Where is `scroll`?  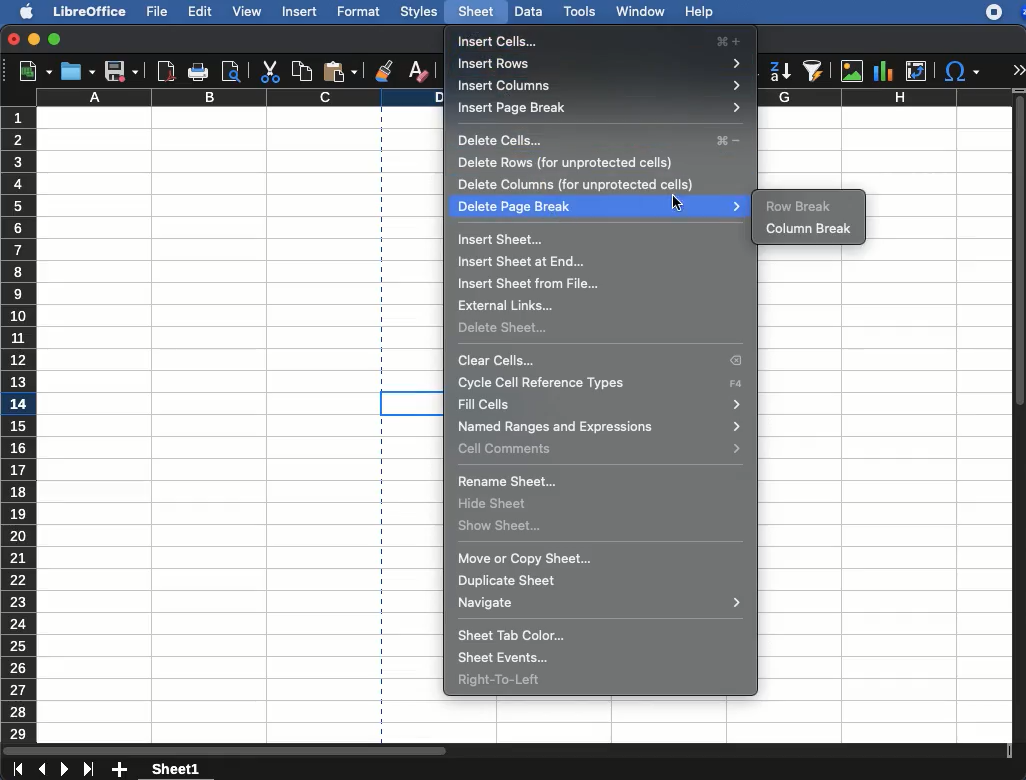 scroll is located at coordinates (1020, 418).